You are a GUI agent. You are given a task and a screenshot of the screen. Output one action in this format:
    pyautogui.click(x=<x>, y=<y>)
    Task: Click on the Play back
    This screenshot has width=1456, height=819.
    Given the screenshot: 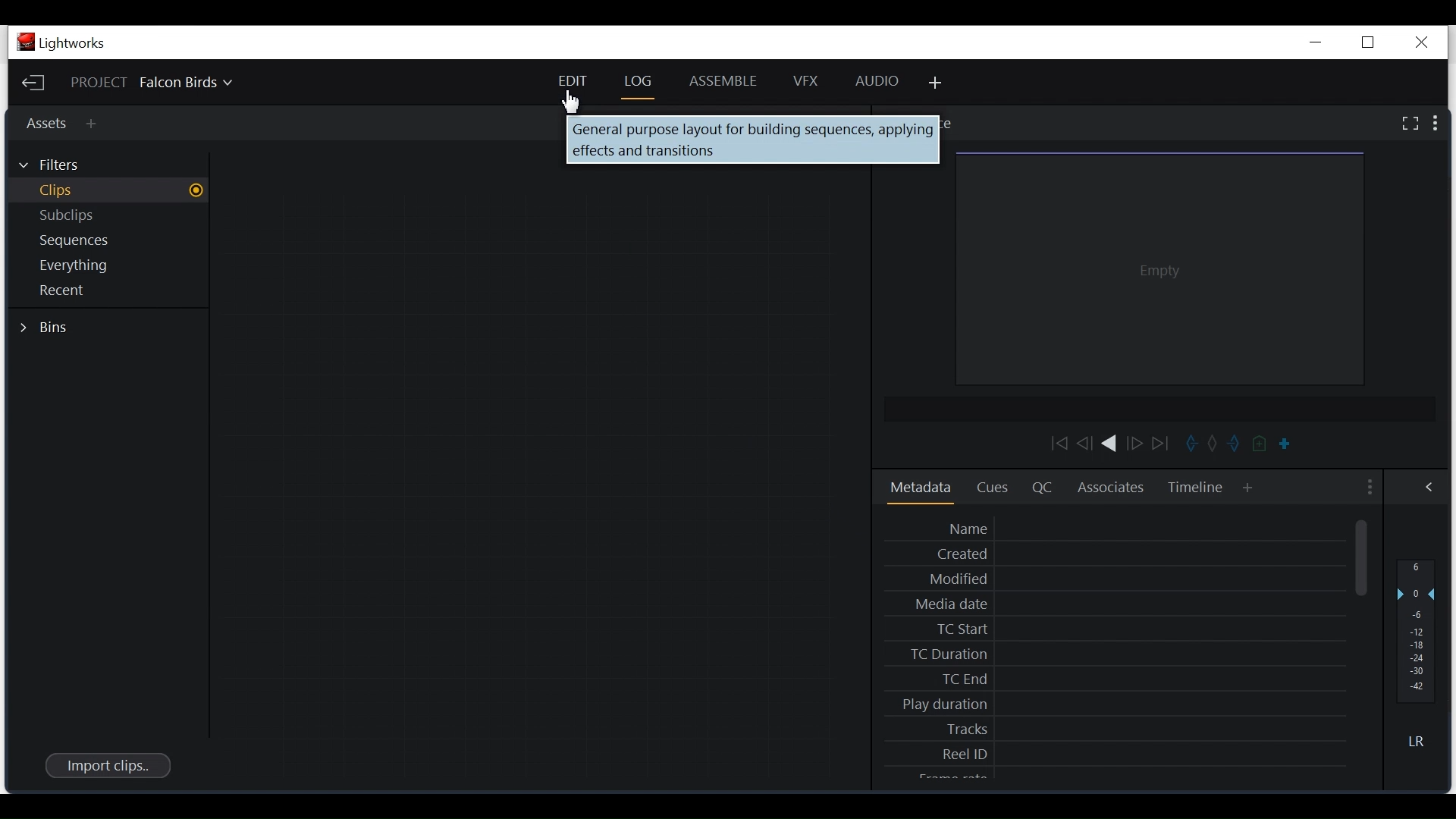 What is the action you would take?
    pyautogui.click(x=1052, y=443)
    